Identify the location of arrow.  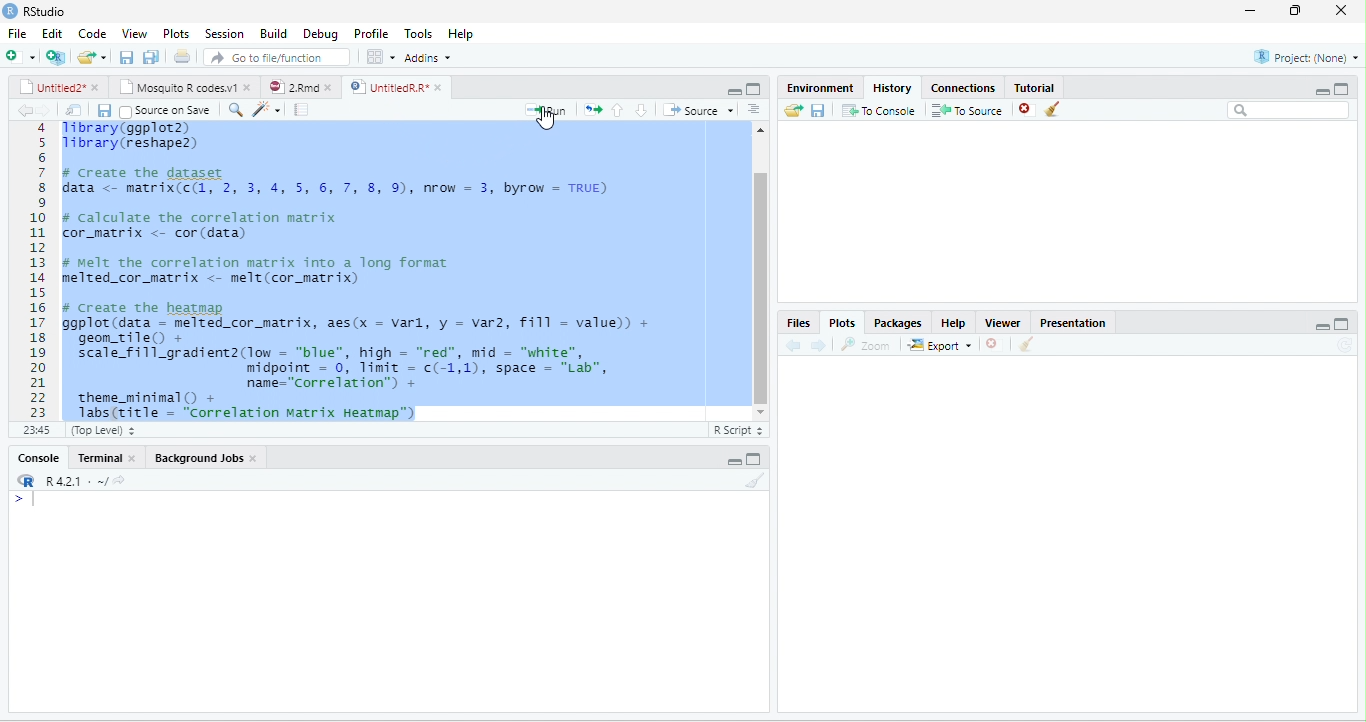
(22, 111).